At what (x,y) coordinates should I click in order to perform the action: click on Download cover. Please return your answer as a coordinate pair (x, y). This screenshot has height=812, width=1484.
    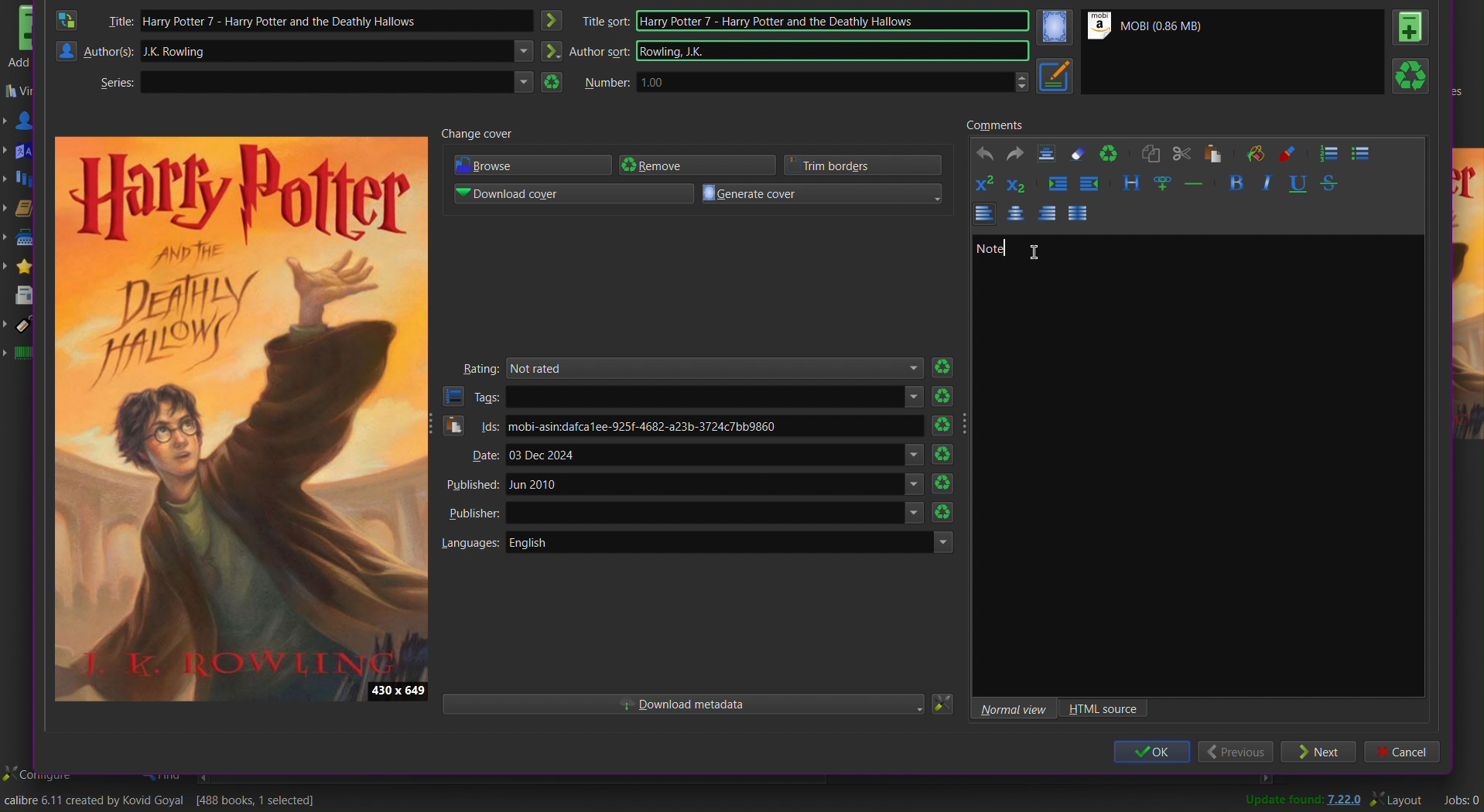
    Looking at the image, I should click on (576, 193).